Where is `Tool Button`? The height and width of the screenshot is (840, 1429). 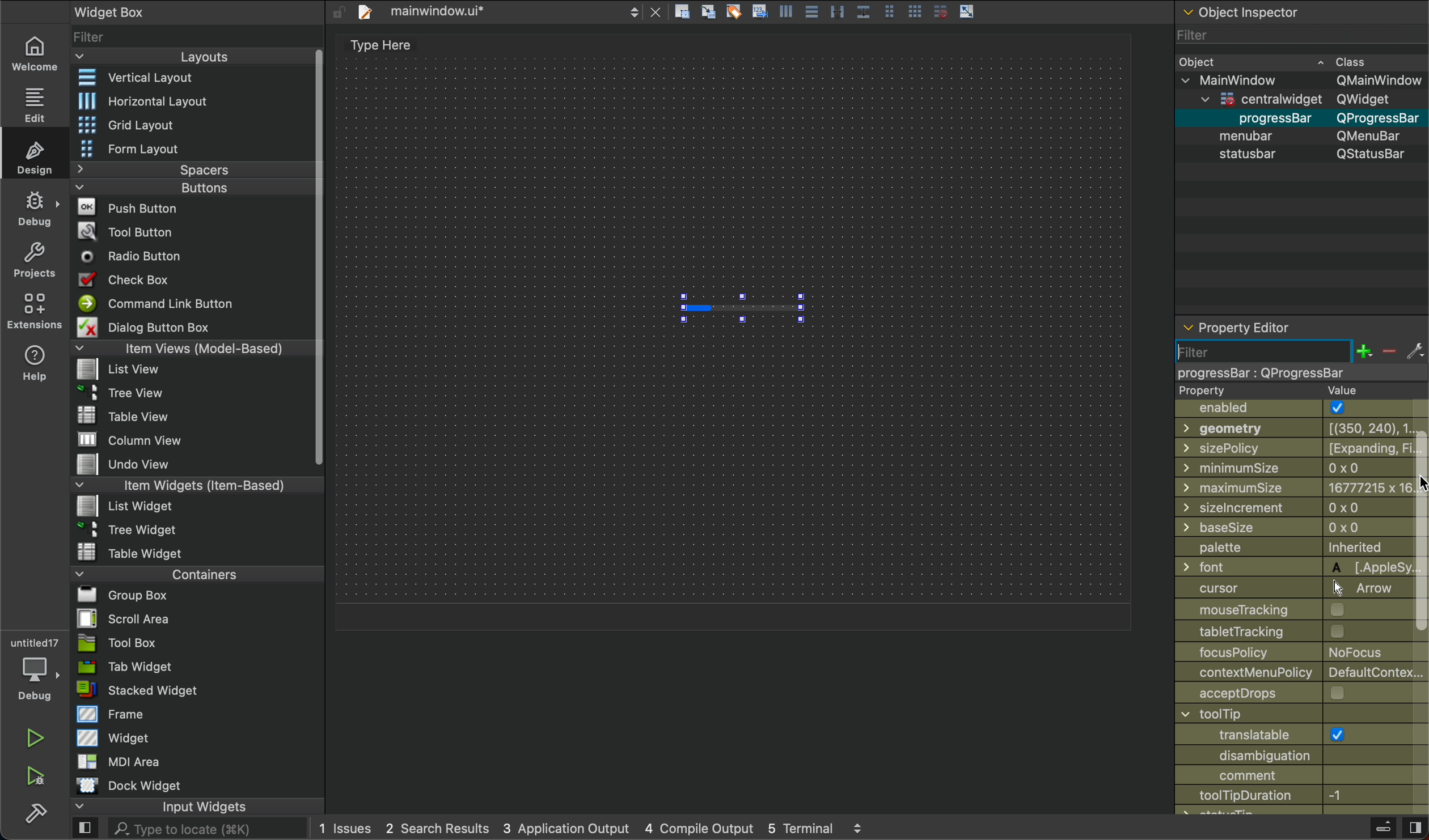 Tool Button is located at coordinates (135, 230).